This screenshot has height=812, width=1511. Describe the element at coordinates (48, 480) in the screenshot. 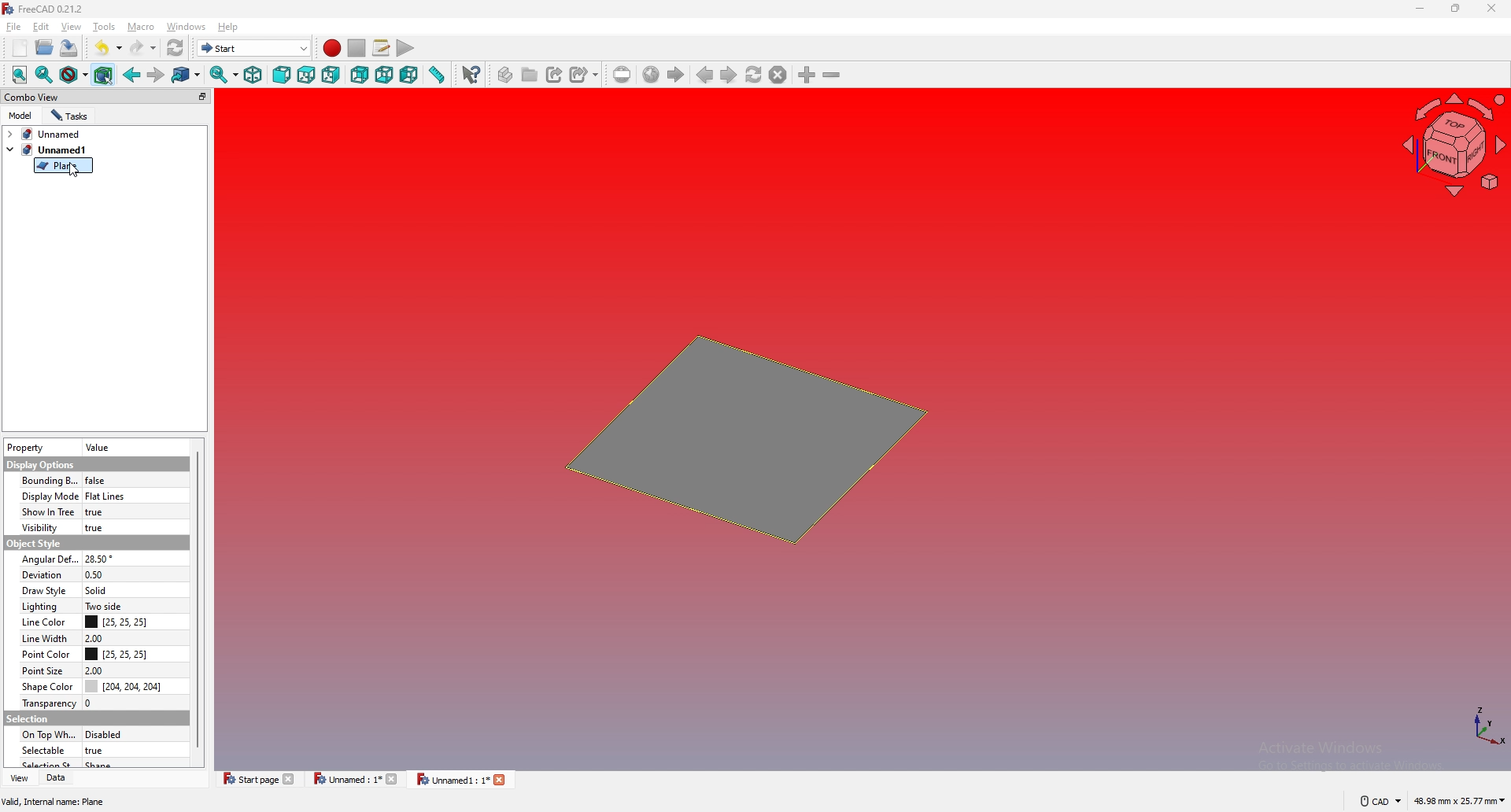

I see `bounding box` at that location.